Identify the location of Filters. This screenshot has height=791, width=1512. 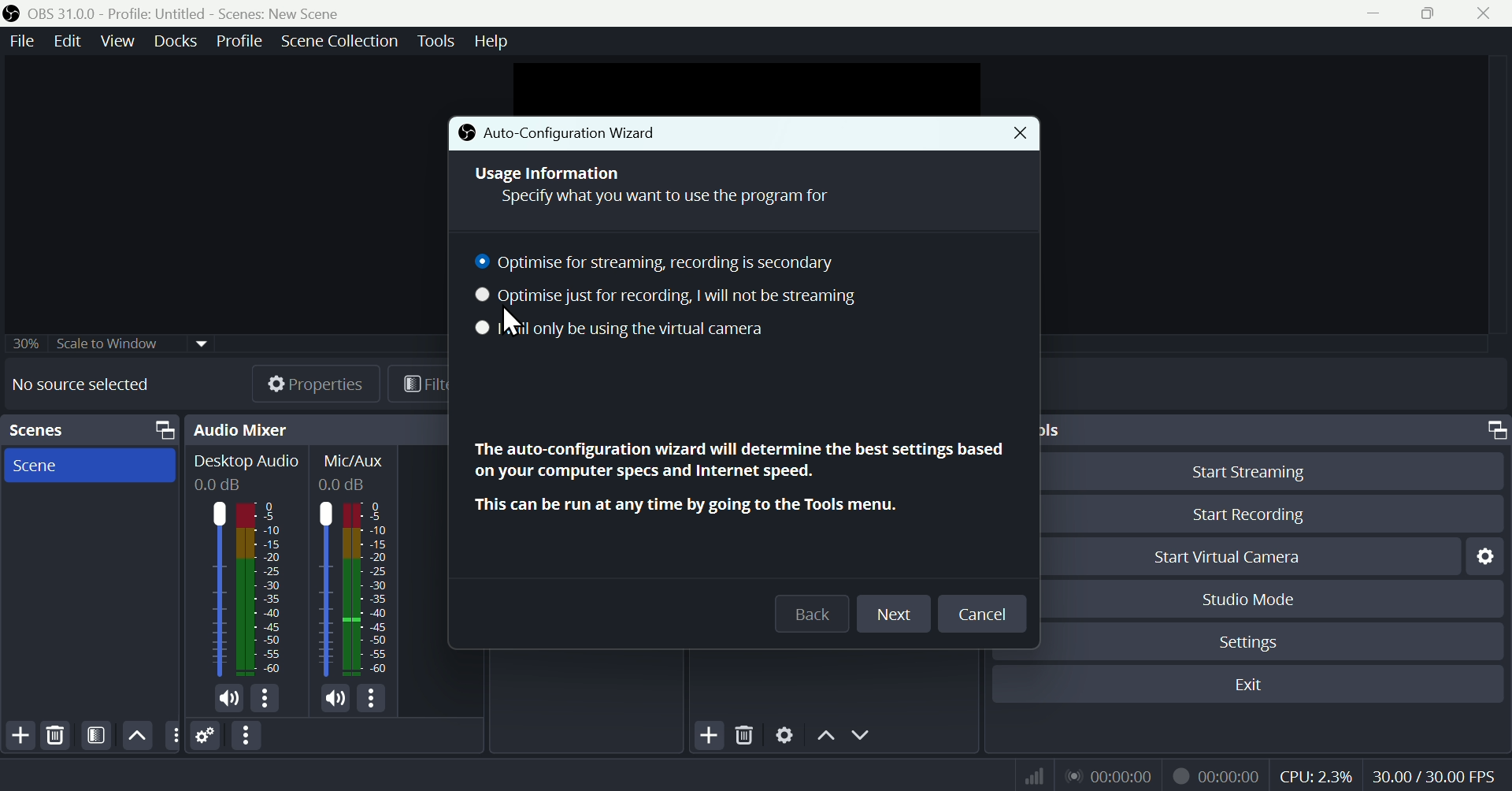
(94, 736).